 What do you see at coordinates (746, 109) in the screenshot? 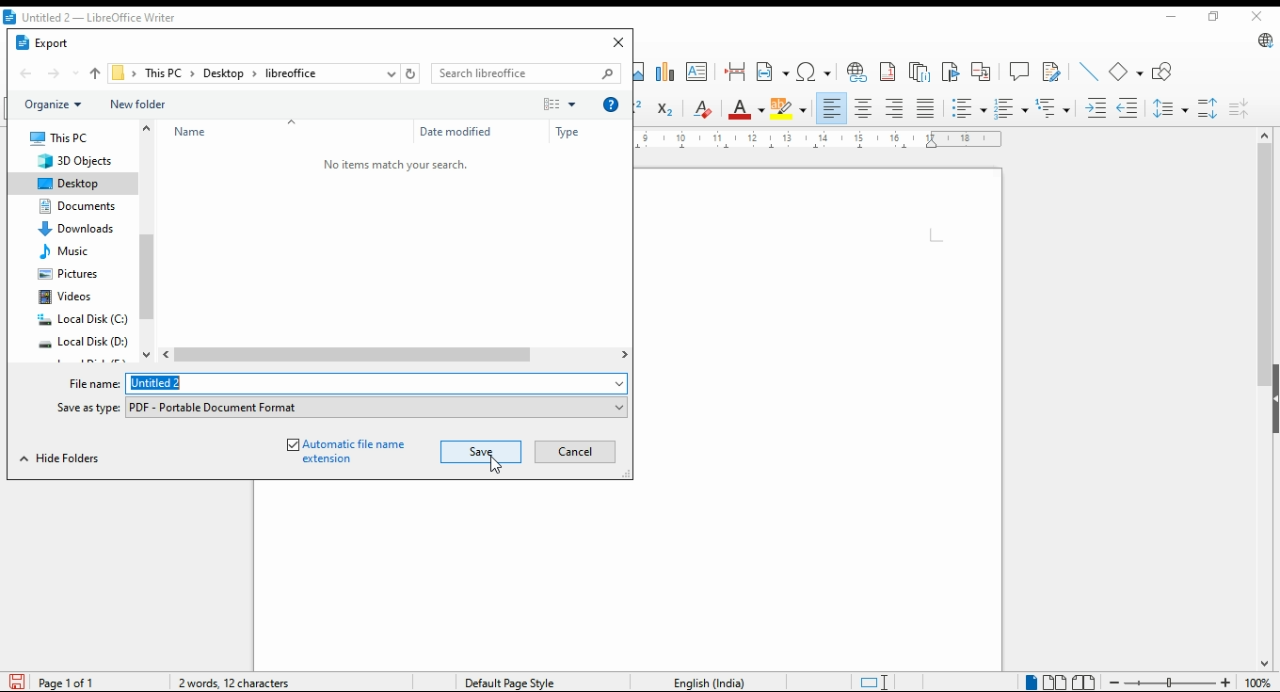
I see `font color` at bounding box center [746, 109].